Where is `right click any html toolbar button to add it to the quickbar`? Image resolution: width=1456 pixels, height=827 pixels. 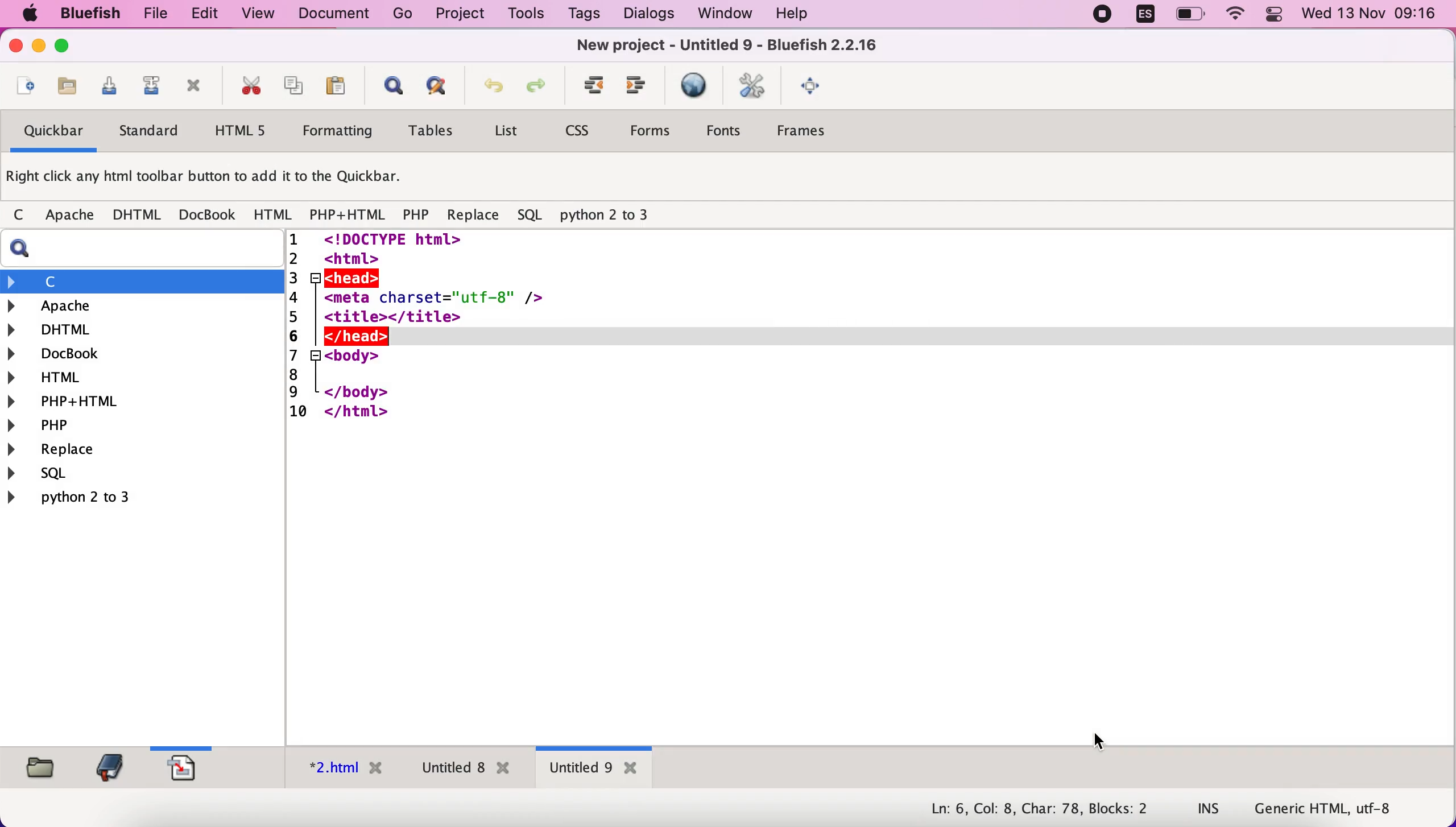
right click any html toolbar button to add it to the quickbar is located at coordinates (211, 180).